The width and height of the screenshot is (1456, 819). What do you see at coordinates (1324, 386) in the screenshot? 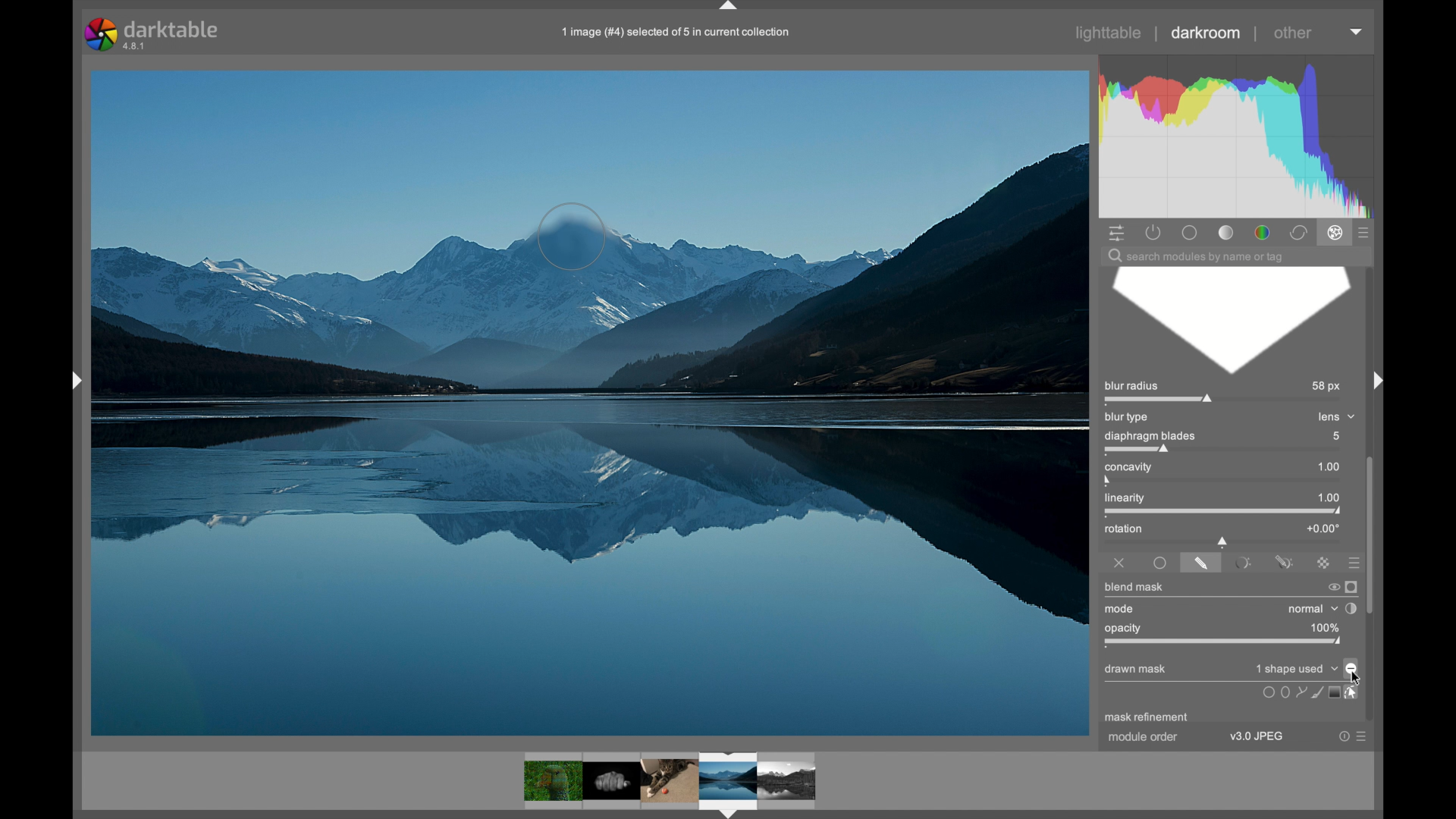
I see `58 px` at bounding box center [1324, 386].